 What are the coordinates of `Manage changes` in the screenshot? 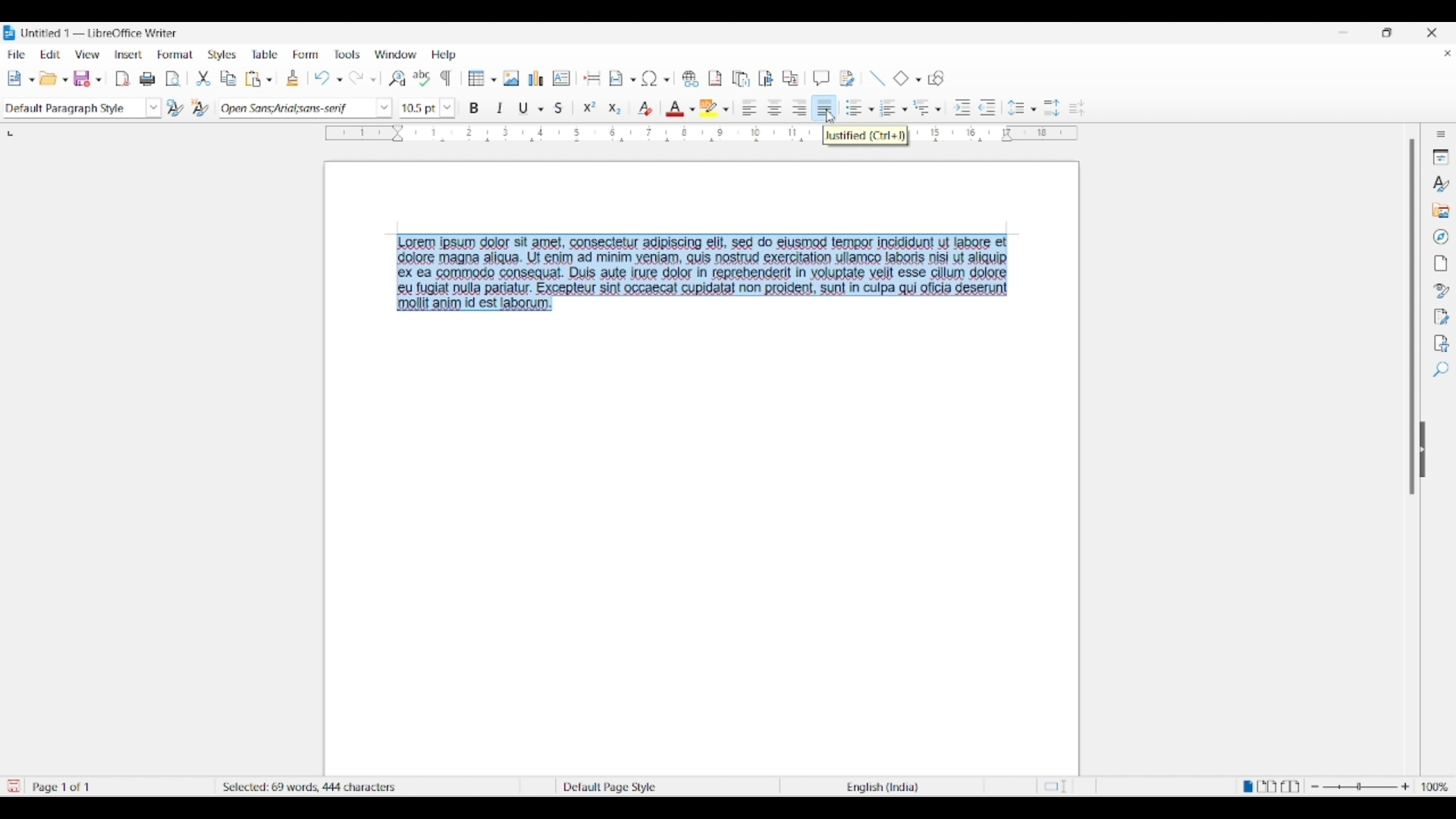 It's located at (1442, 317).